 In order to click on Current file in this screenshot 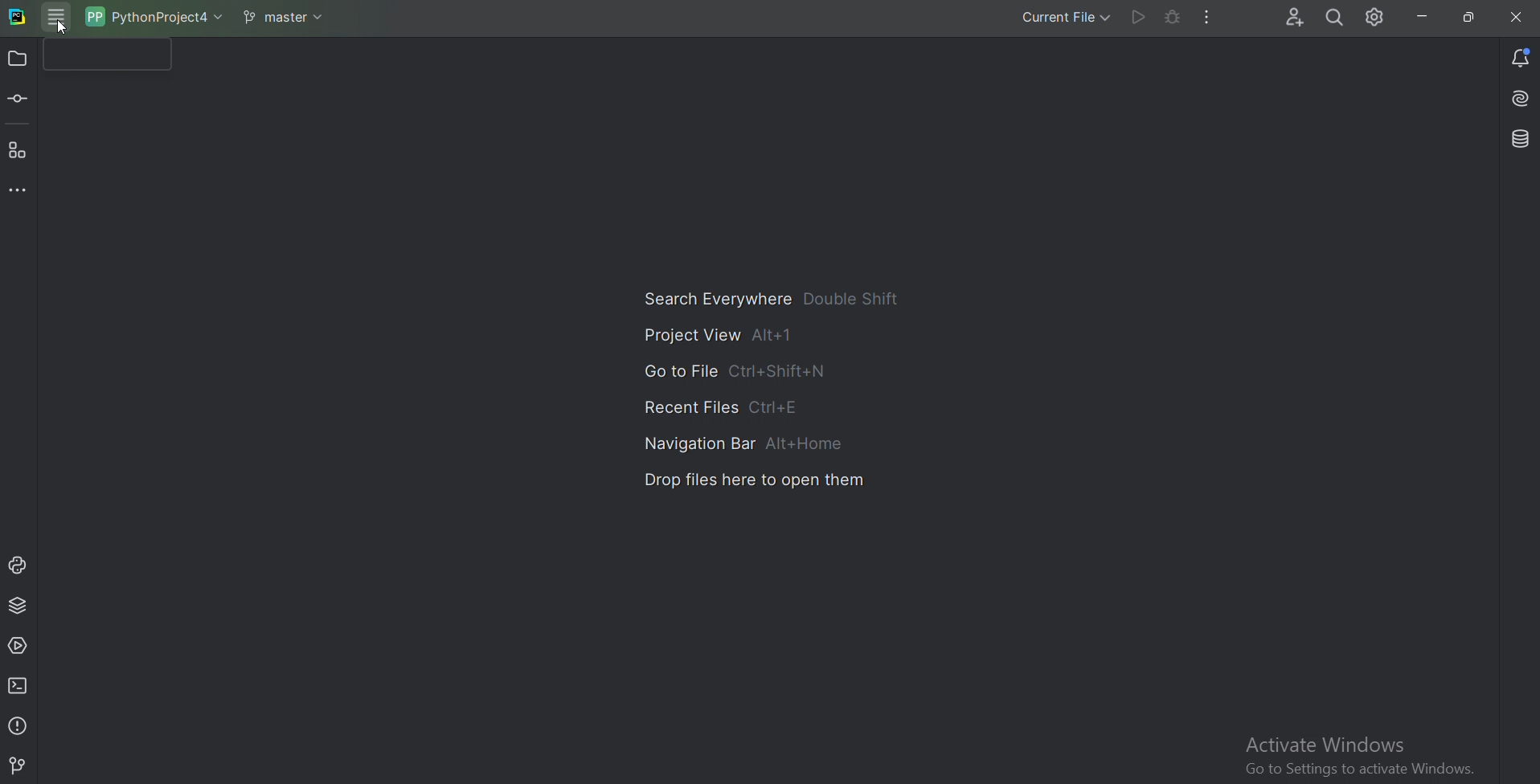, I will do `click(1054, 18)`.